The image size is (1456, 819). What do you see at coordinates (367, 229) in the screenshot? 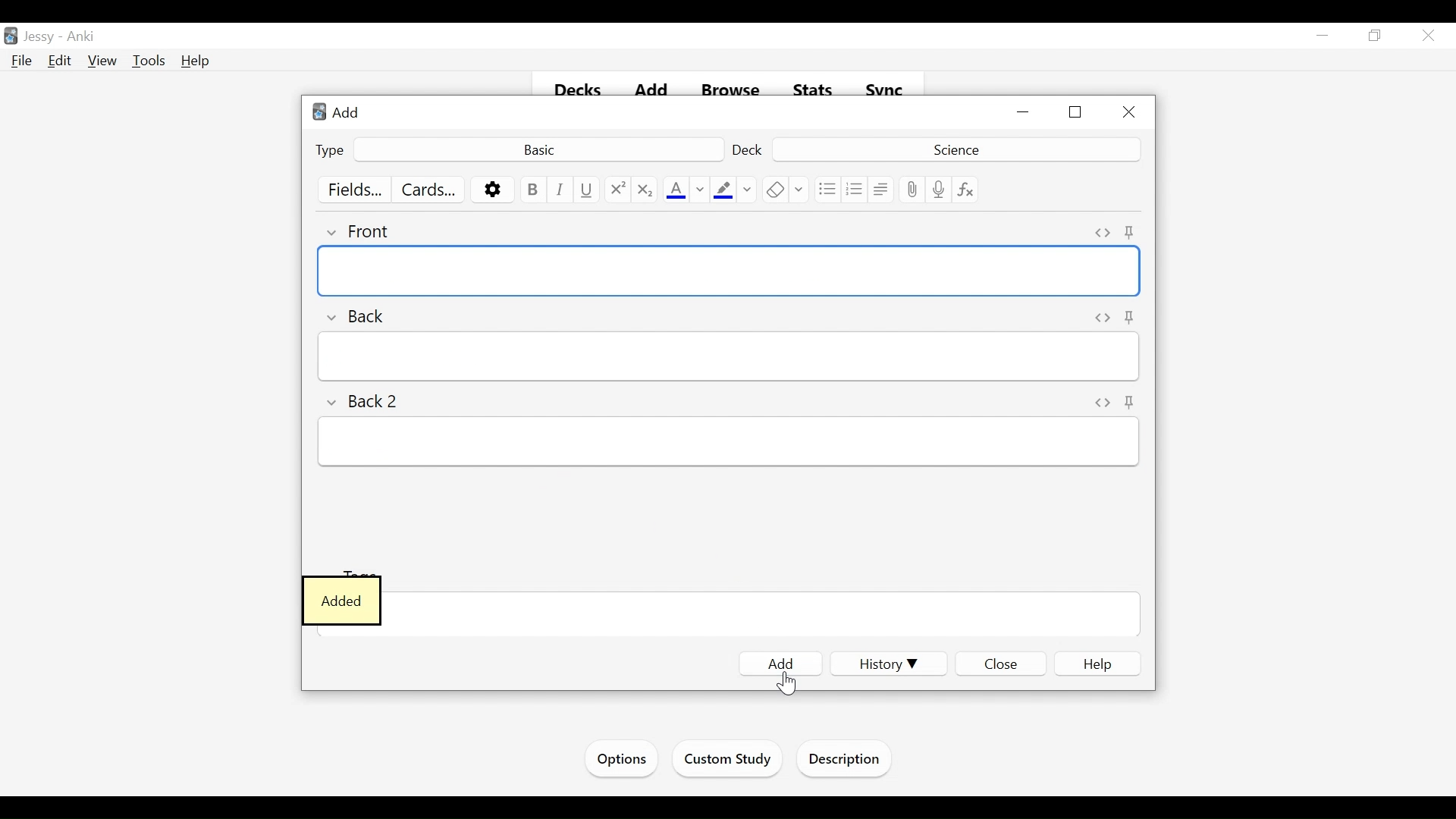
I see `Front` at bounding box center [367, 229].